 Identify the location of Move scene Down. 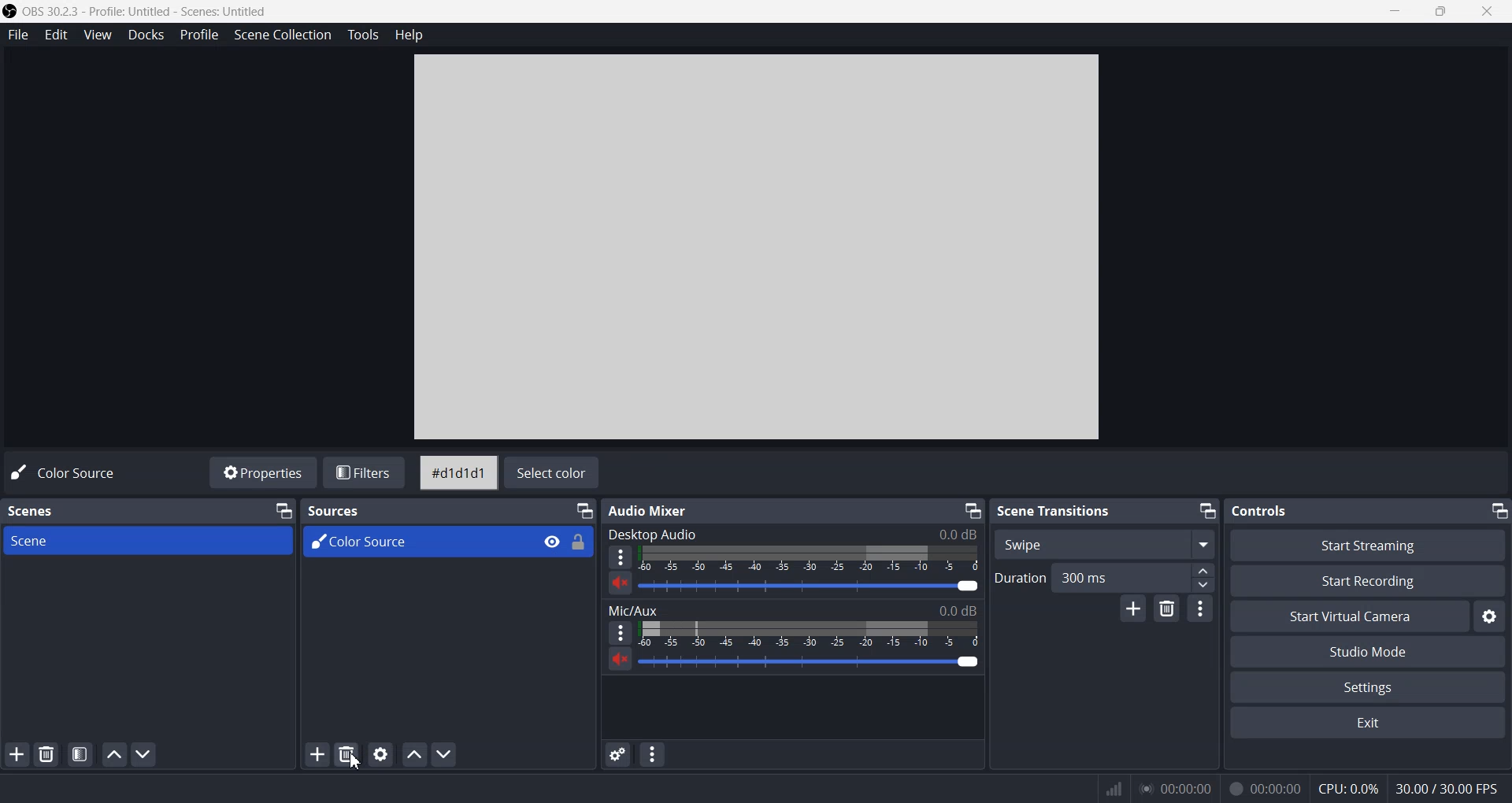
(146, 754).